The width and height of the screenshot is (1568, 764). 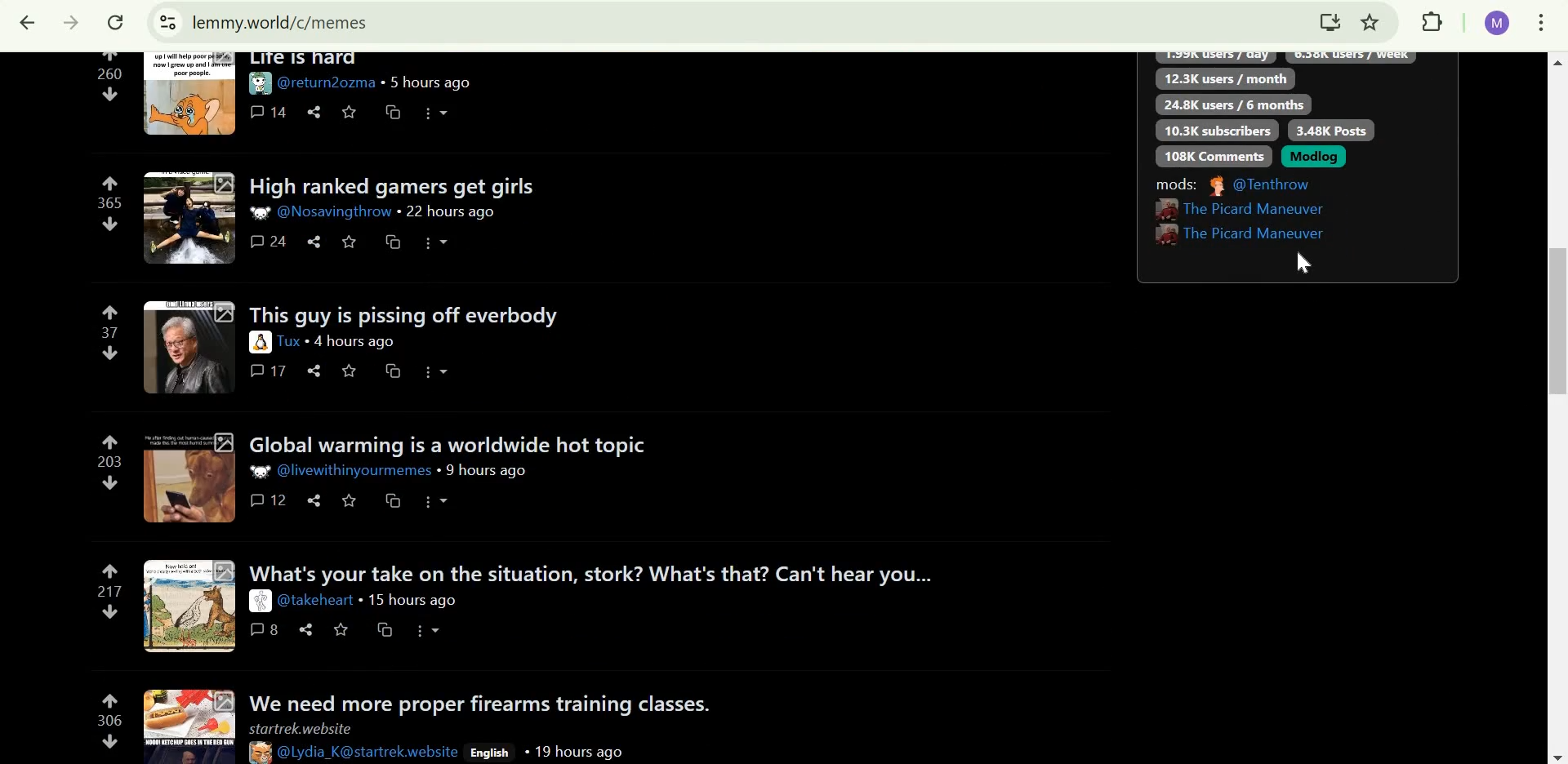 What do you see at coordinates (430, 629) in the screenshot?
I see `more` at bounding box center [430, 629].